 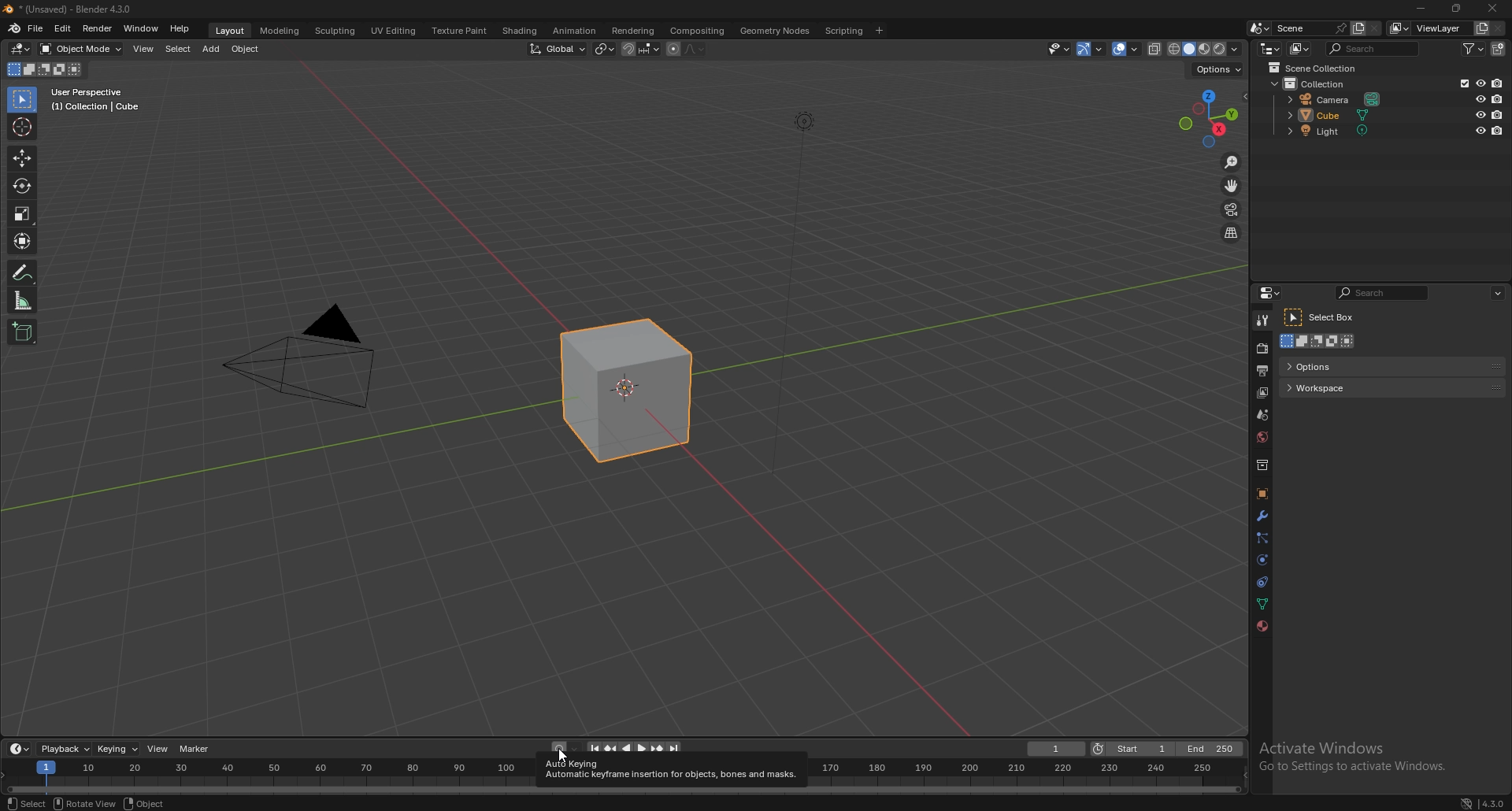 I want to click on select box, so click(x=1322, y=317).